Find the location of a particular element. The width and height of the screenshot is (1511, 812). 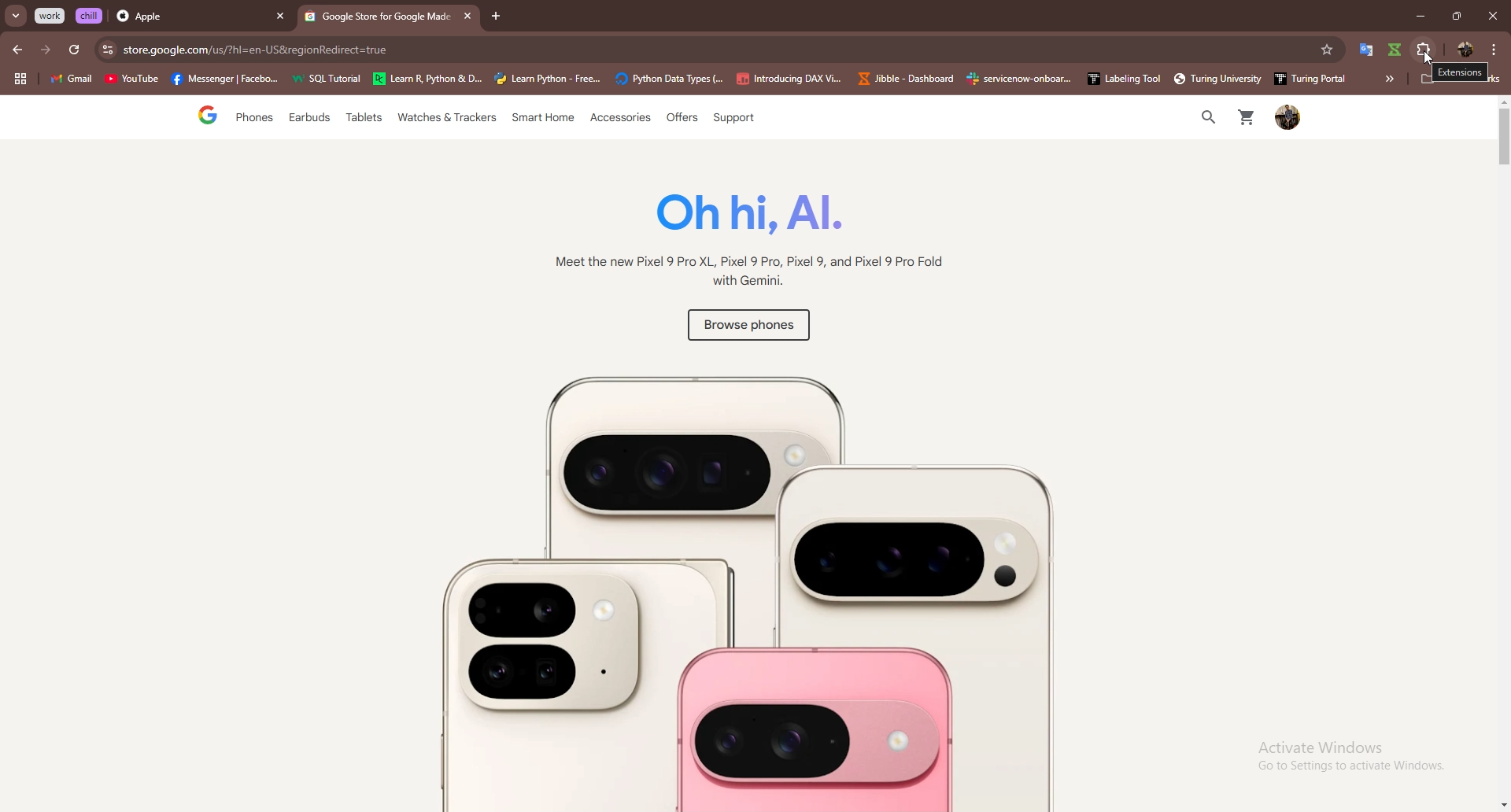

cursor is located at coordinates (1432, 59).